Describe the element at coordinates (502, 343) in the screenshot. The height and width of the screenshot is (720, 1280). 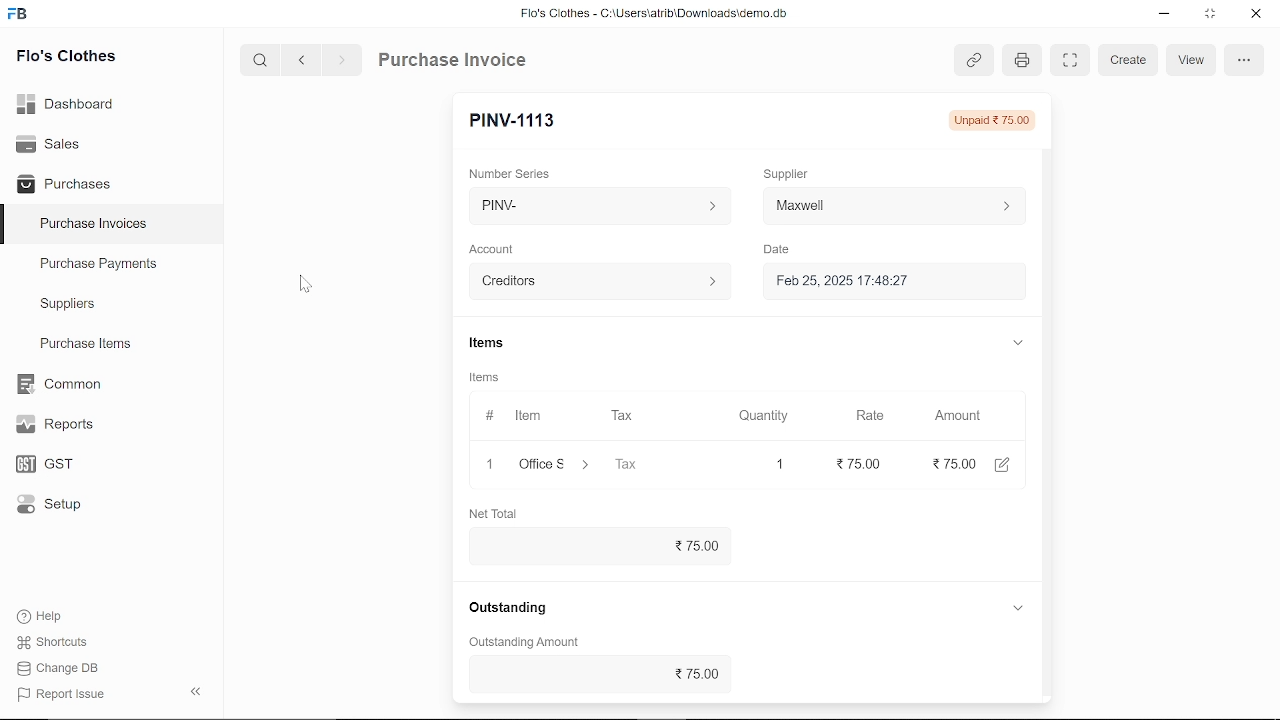
I see `Items` at that location.